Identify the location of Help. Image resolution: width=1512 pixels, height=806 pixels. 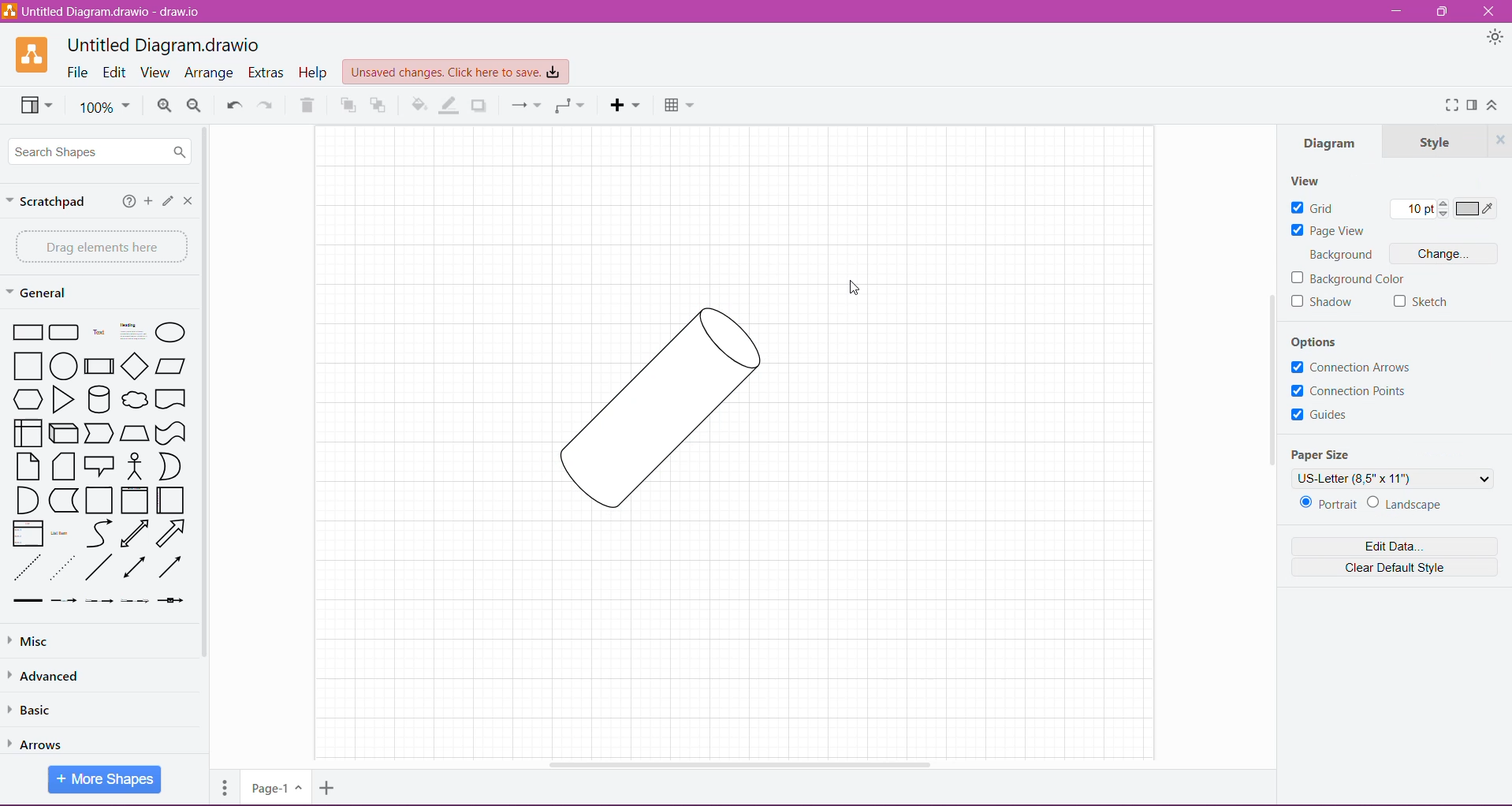
(314, 73).